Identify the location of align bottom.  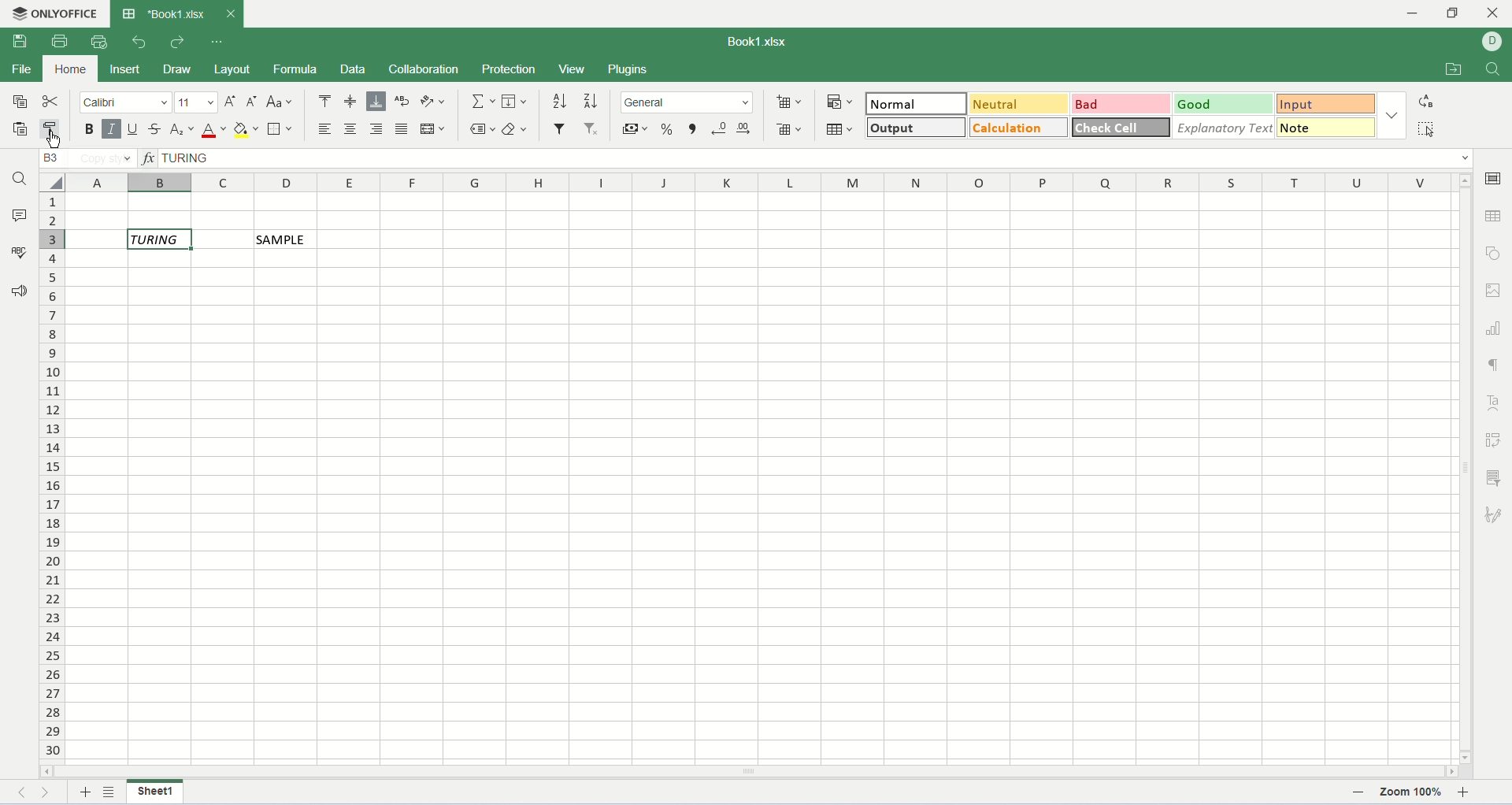
(376, 102).